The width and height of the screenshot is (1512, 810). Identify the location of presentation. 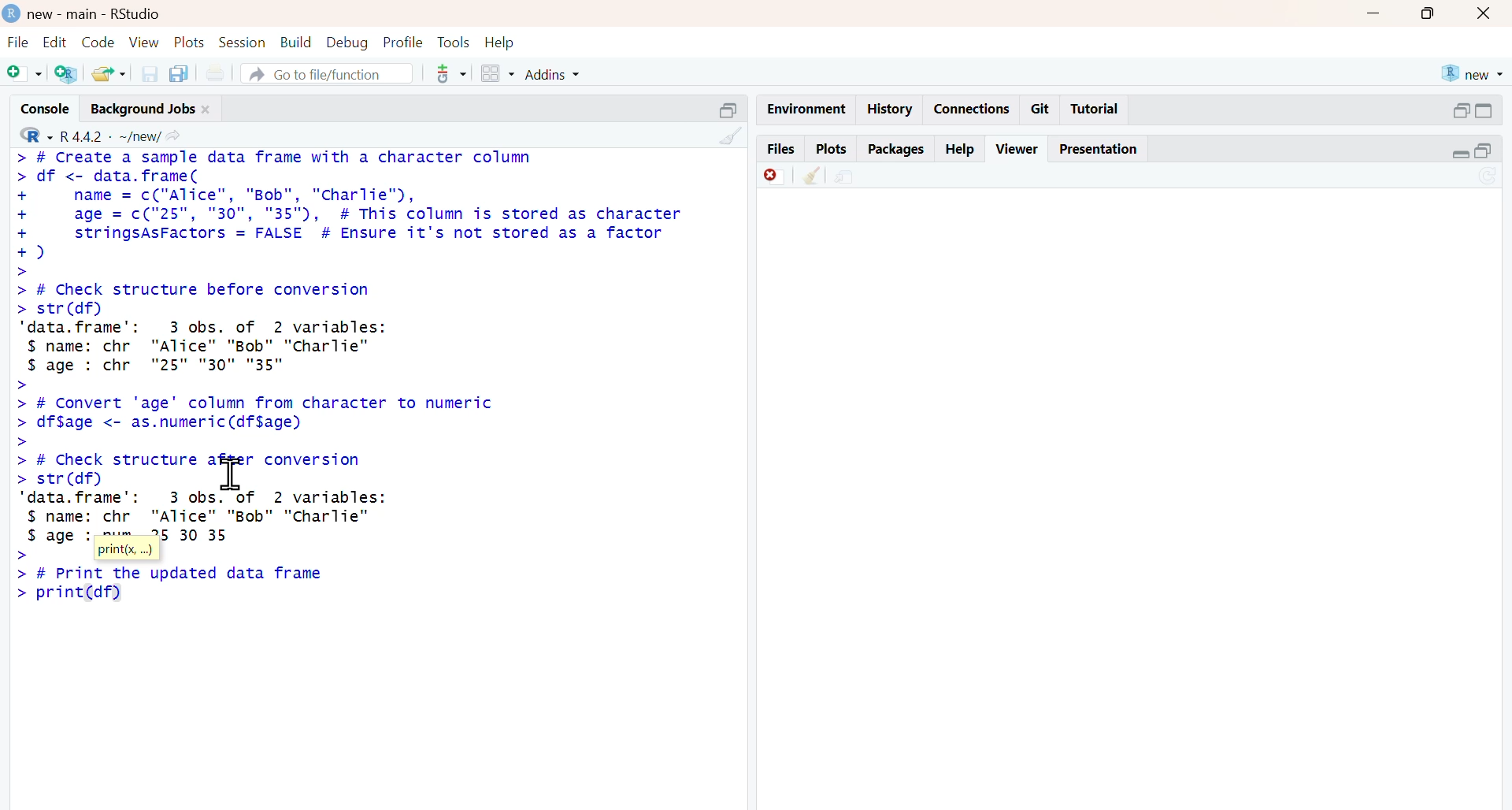
(1096, 149).